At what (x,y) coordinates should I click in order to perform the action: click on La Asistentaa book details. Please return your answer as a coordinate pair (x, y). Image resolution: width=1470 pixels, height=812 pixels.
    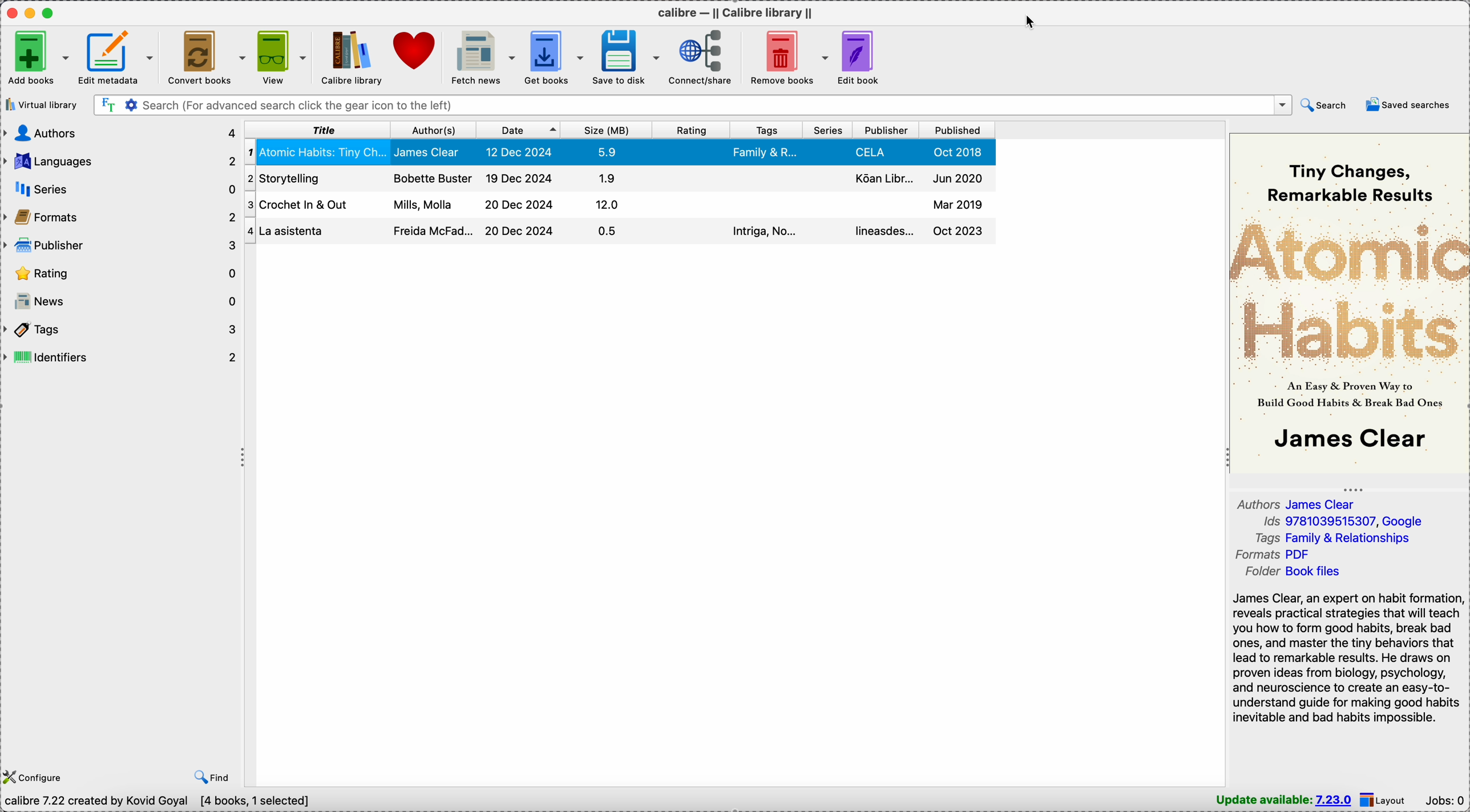
    Looking at the image, I should click on (613, 205).